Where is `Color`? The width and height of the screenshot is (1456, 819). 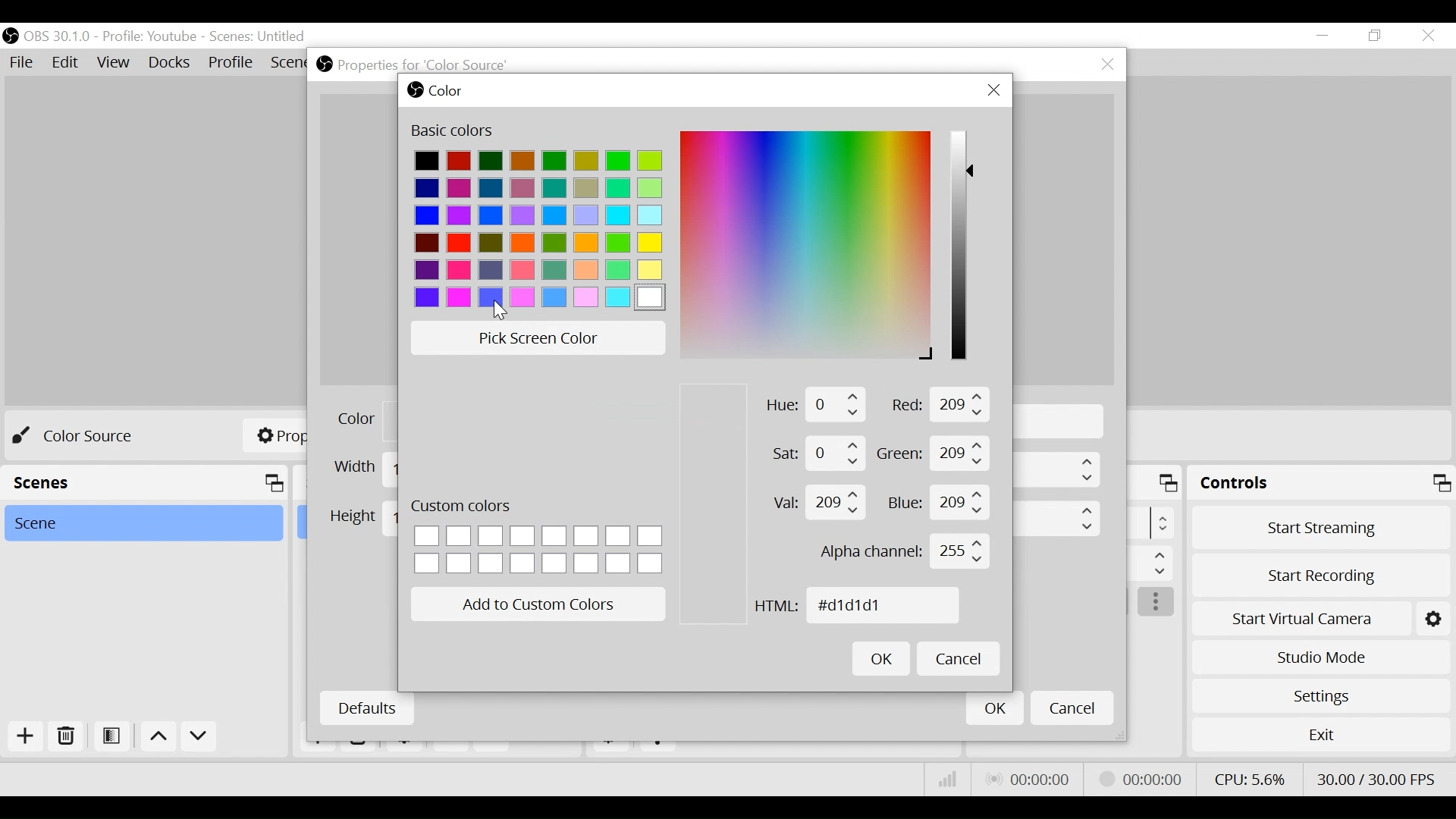 Color is located at coordinates (451, 90).